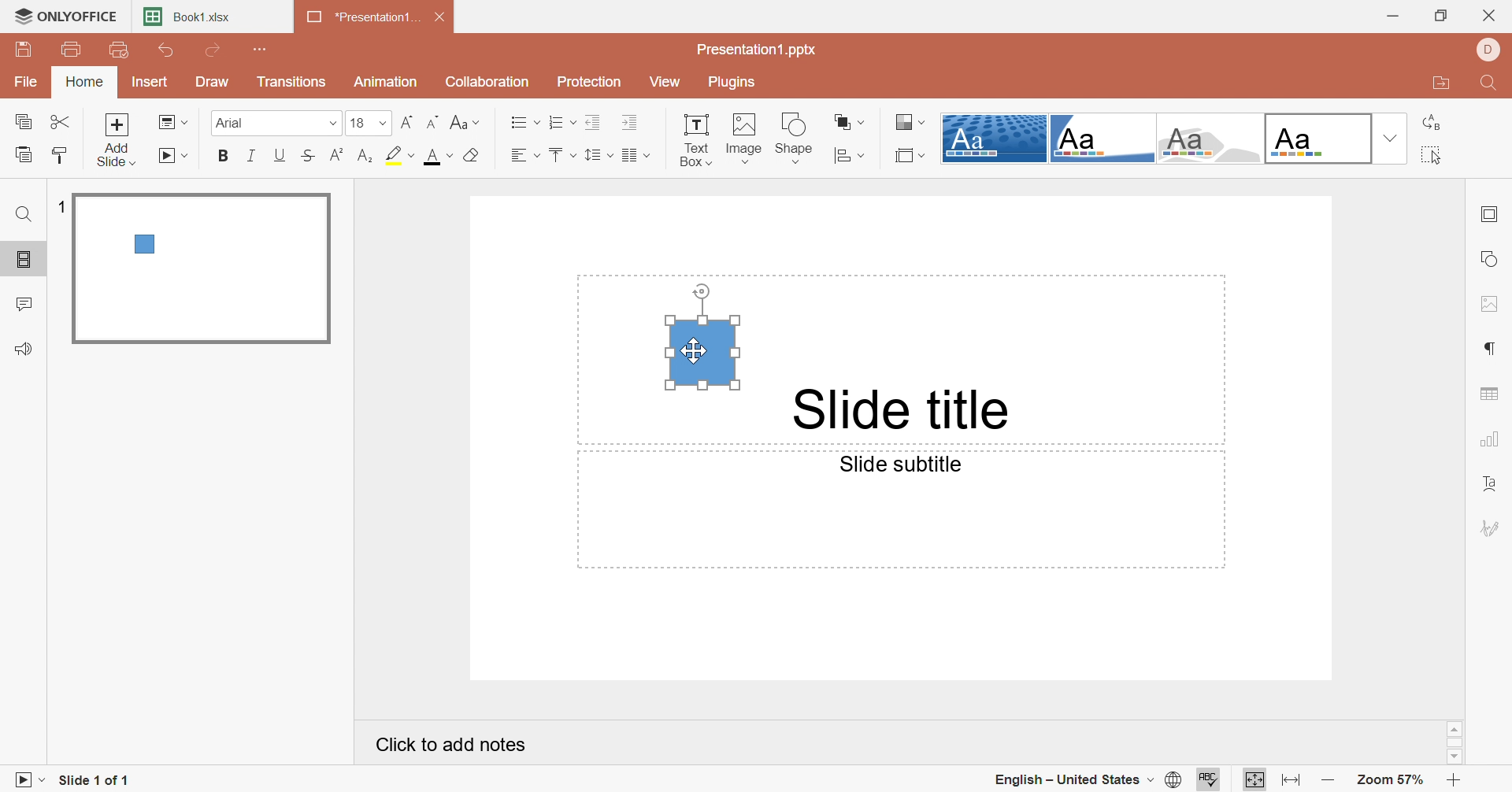 The width and height of the screenshot is (1512, 792). I want to click on English - United States, so click(1070, 781).